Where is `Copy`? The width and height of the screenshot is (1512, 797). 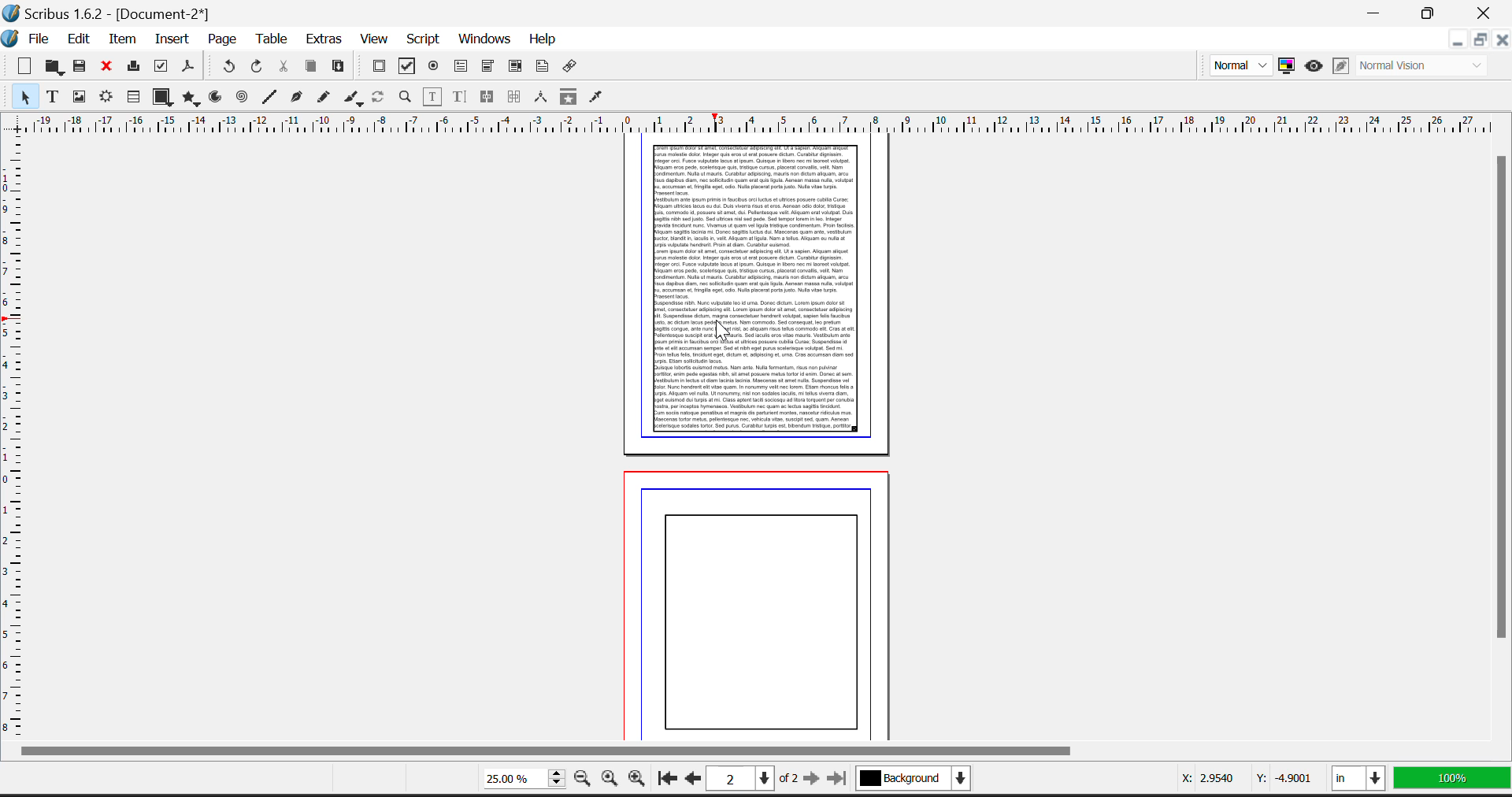
Copy is located at coordinates (312, 68).